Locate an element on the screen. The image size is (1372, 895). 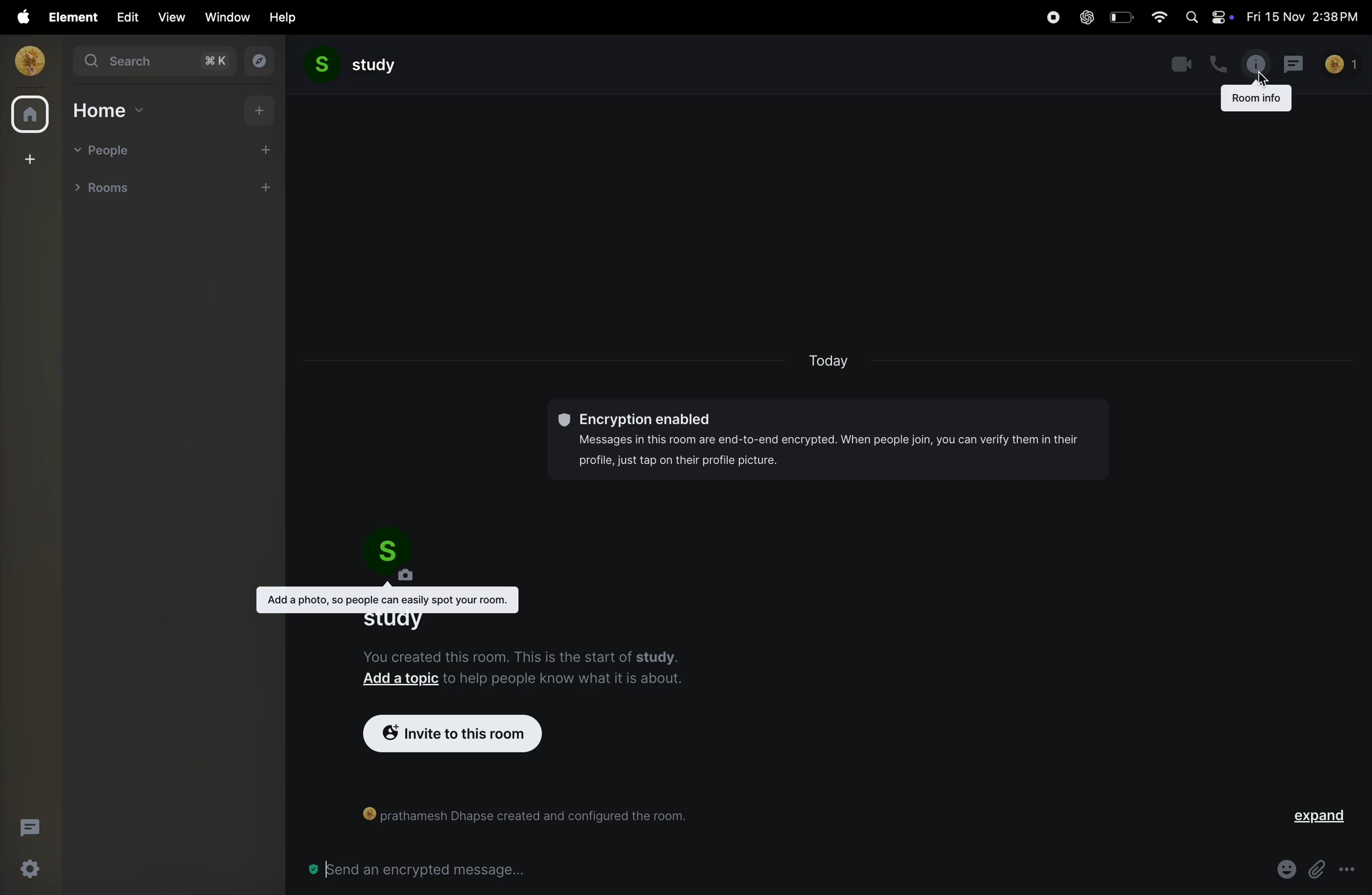
more options is located at coordinates (1352, 871).